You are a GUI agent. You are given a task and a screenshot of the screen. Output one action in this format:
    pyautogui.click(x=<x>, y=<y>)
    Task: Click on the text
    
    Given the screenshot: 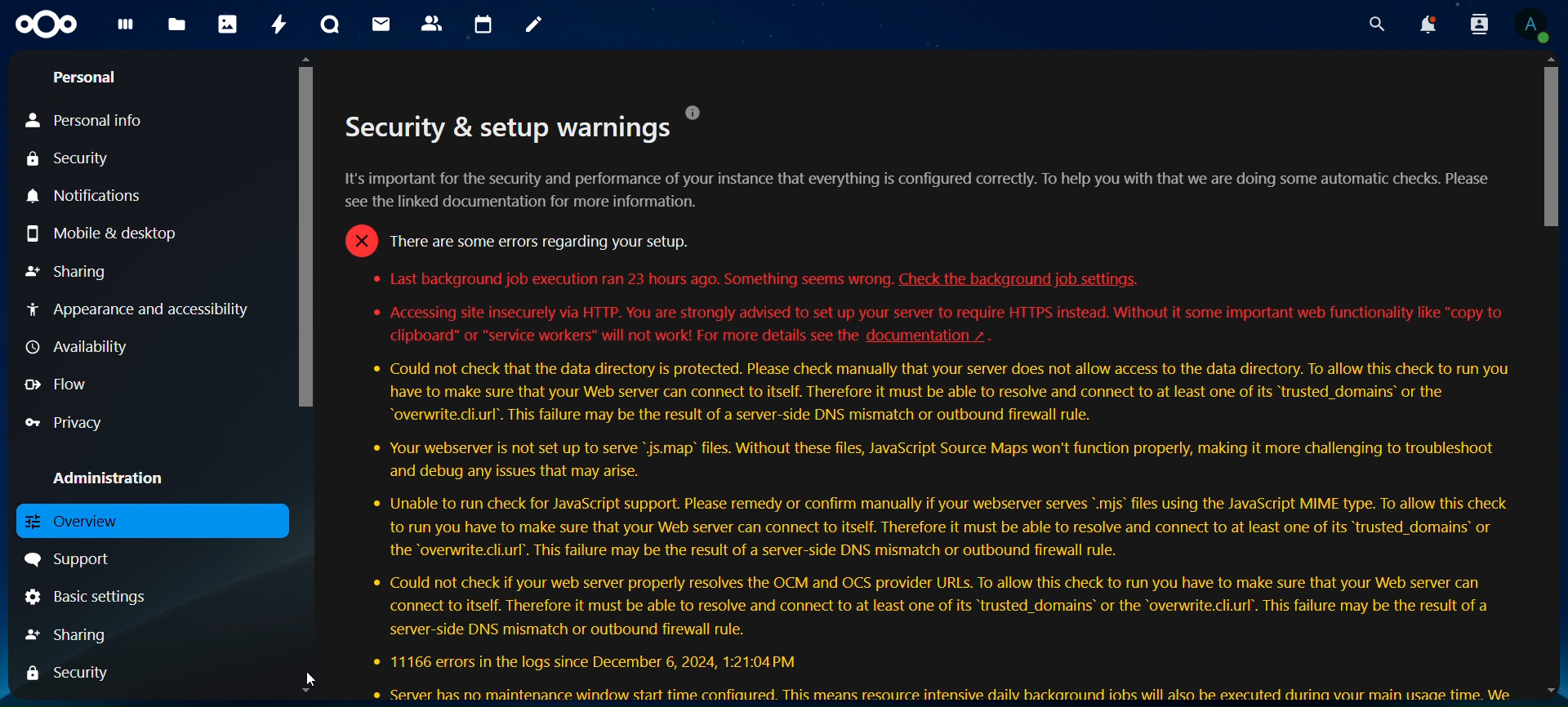 What is the action you would take?
    pyautogui.click(x=928, y=402)
    